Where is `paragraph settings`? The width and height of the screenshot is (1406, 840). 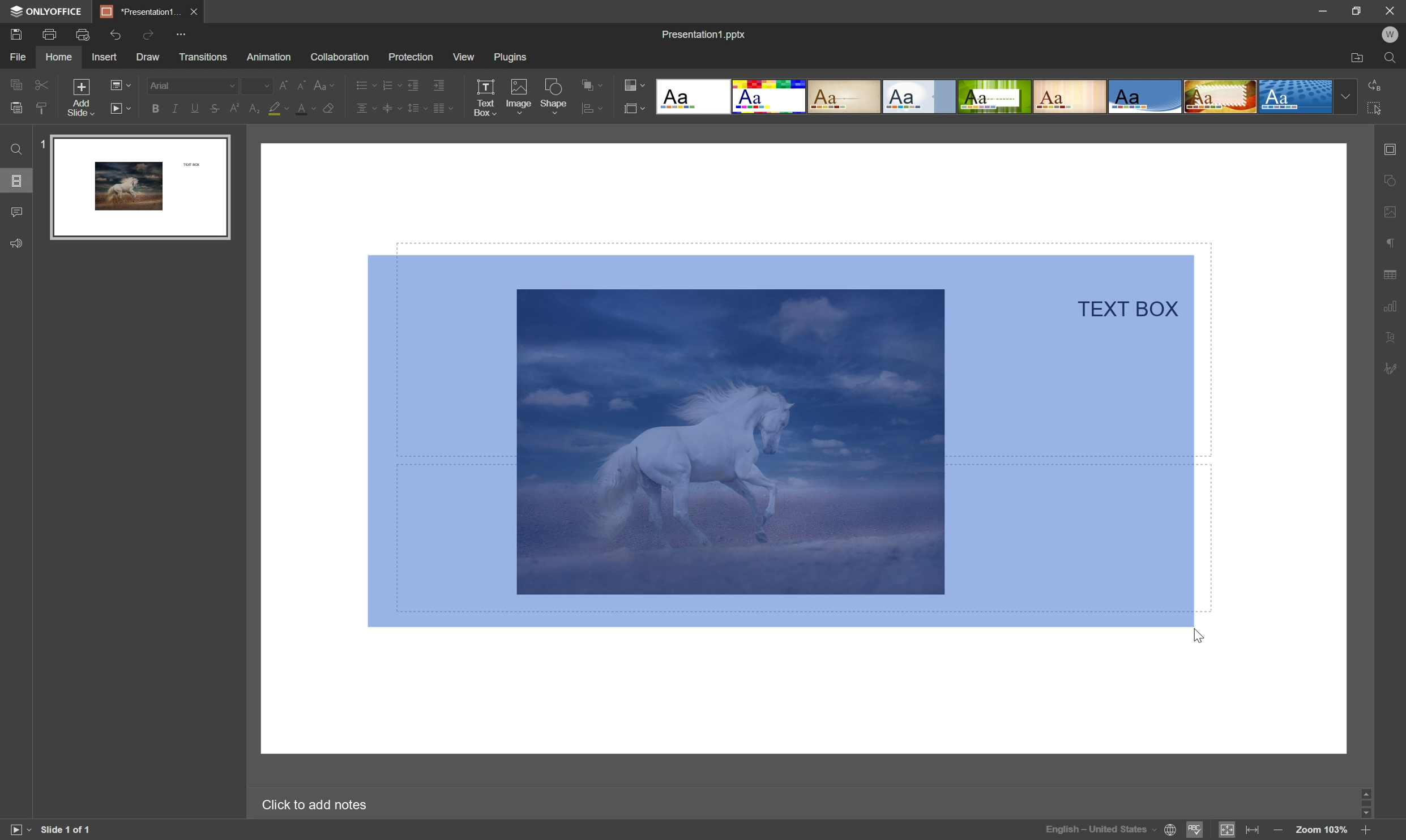
paragraph settings is located at coordinates (1391, 243).